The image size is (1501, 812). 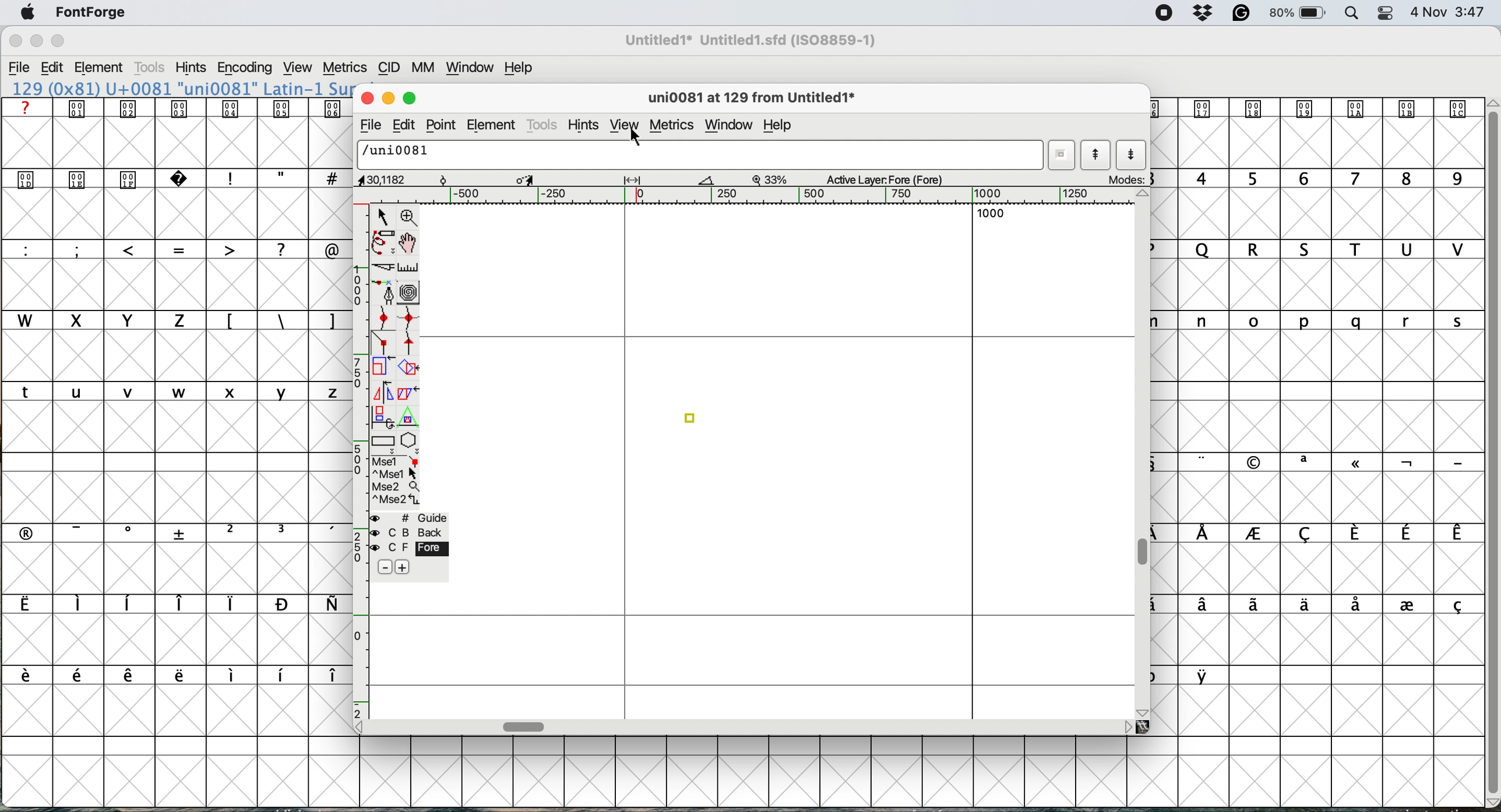 I want to click on close, so click(x=369, y=100).